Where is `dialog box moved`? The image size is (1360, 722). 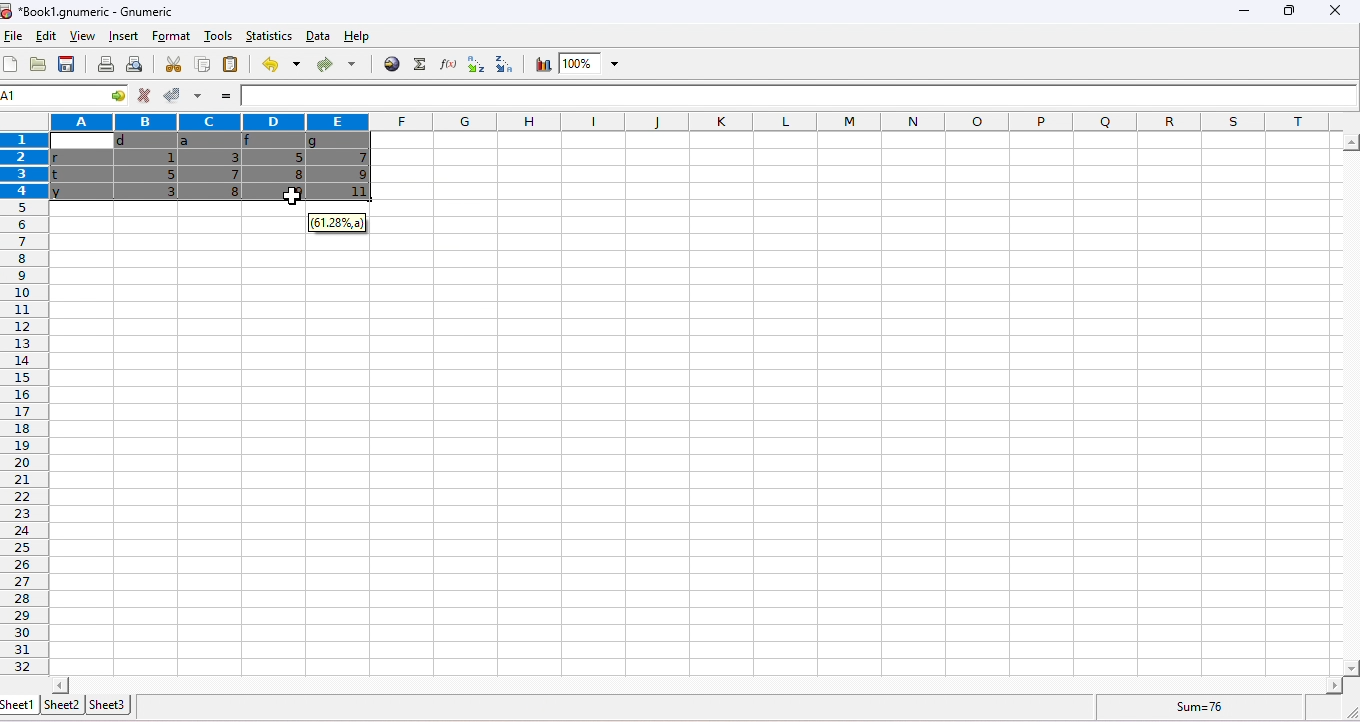 dialog box moved is located at coordinates (340, 222).